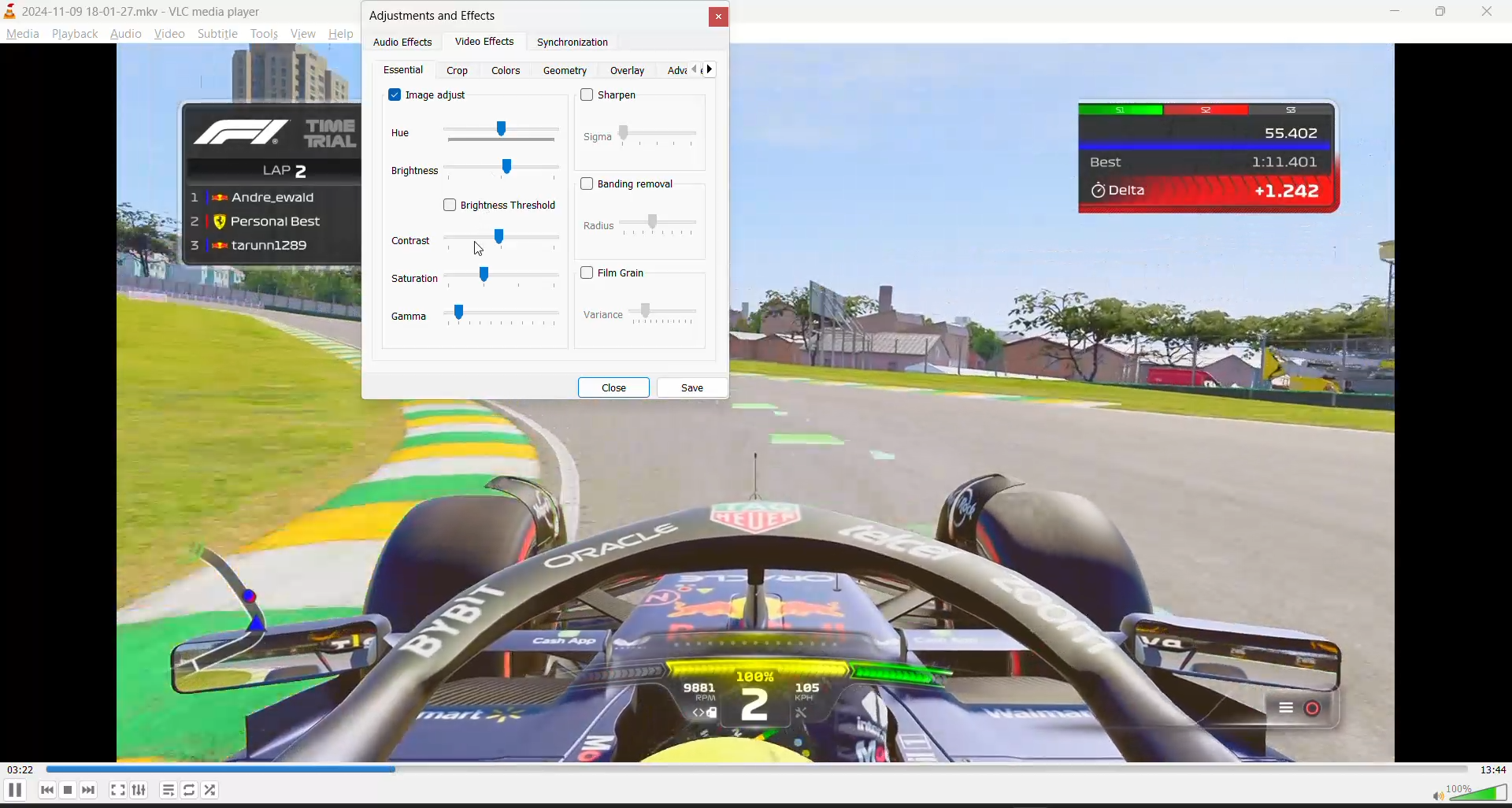 Image resolution: width=1512 pixels, height=808 pixels. What do you see at coordinates (409, 317) in the screenshot?
I see `gamma` at bounding box center [409, 317].